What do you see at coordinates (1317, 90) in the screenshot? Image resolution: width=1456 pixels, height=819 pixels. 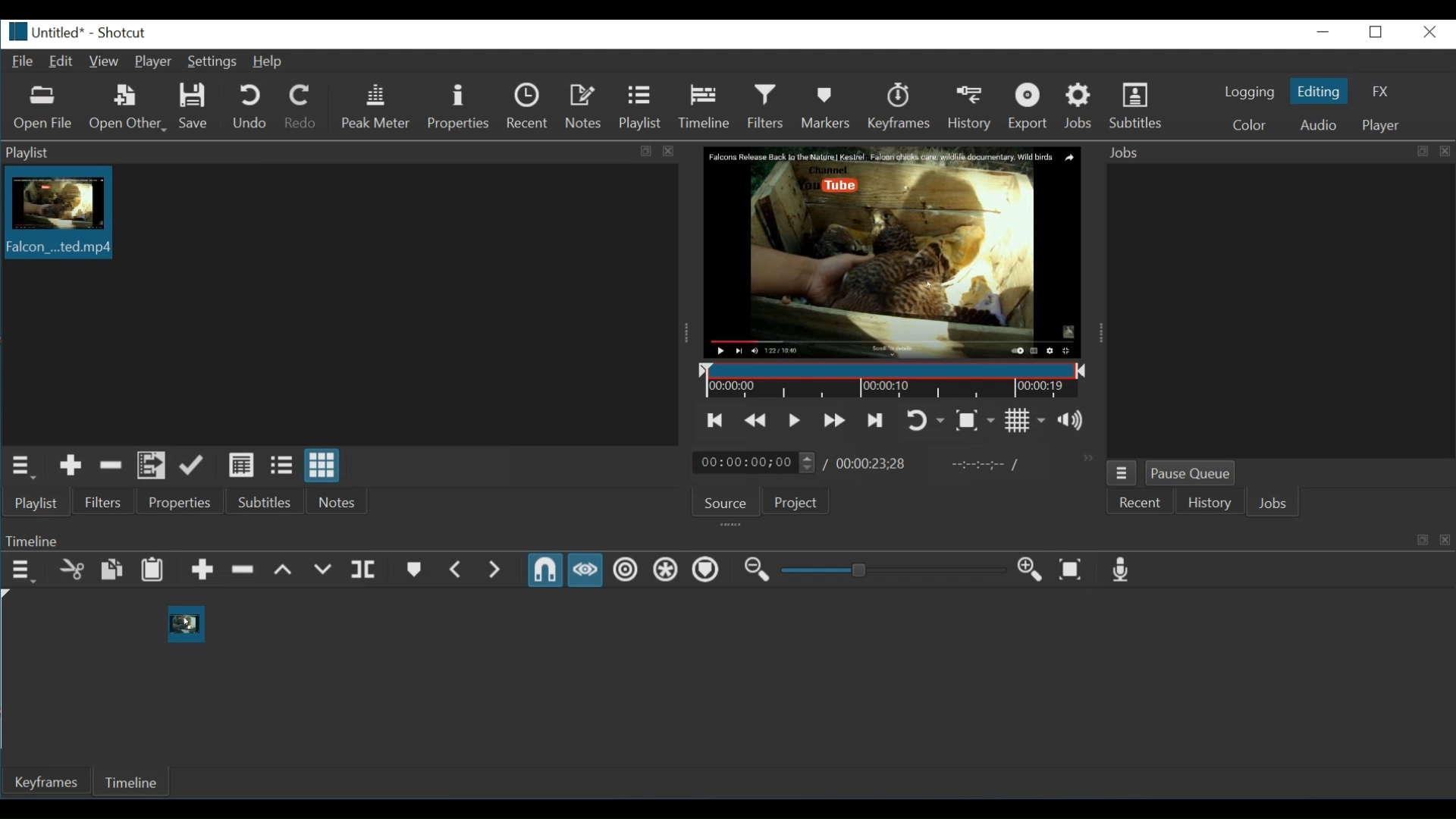 I see `Eiting` at bounding box center [1317, 90].